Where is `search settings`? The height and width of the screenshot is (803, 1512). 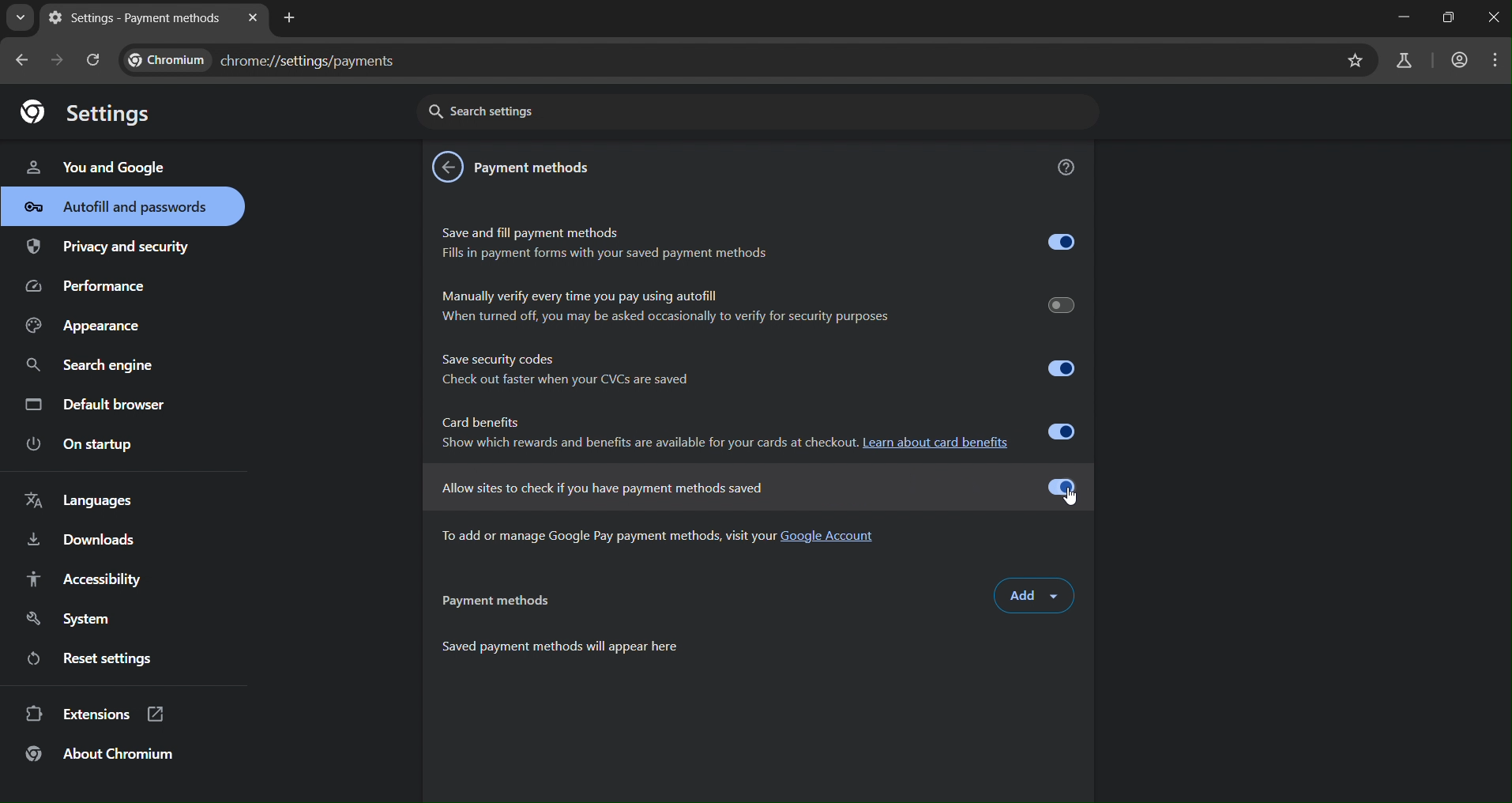
search settings is located at coordinates (747, 107).